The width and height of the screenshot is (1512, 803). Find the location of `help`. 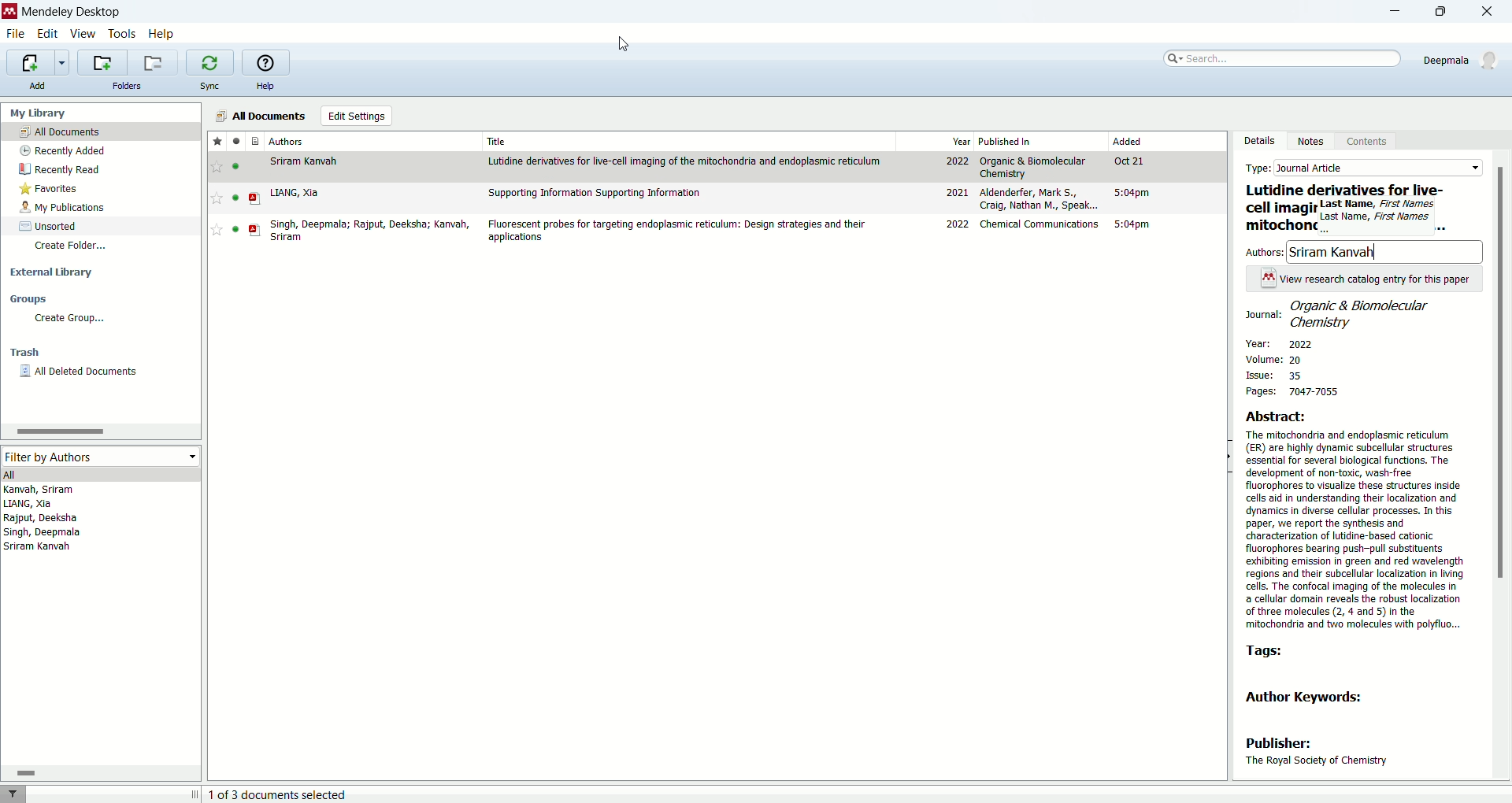

help is located at coordinates (265, 86).